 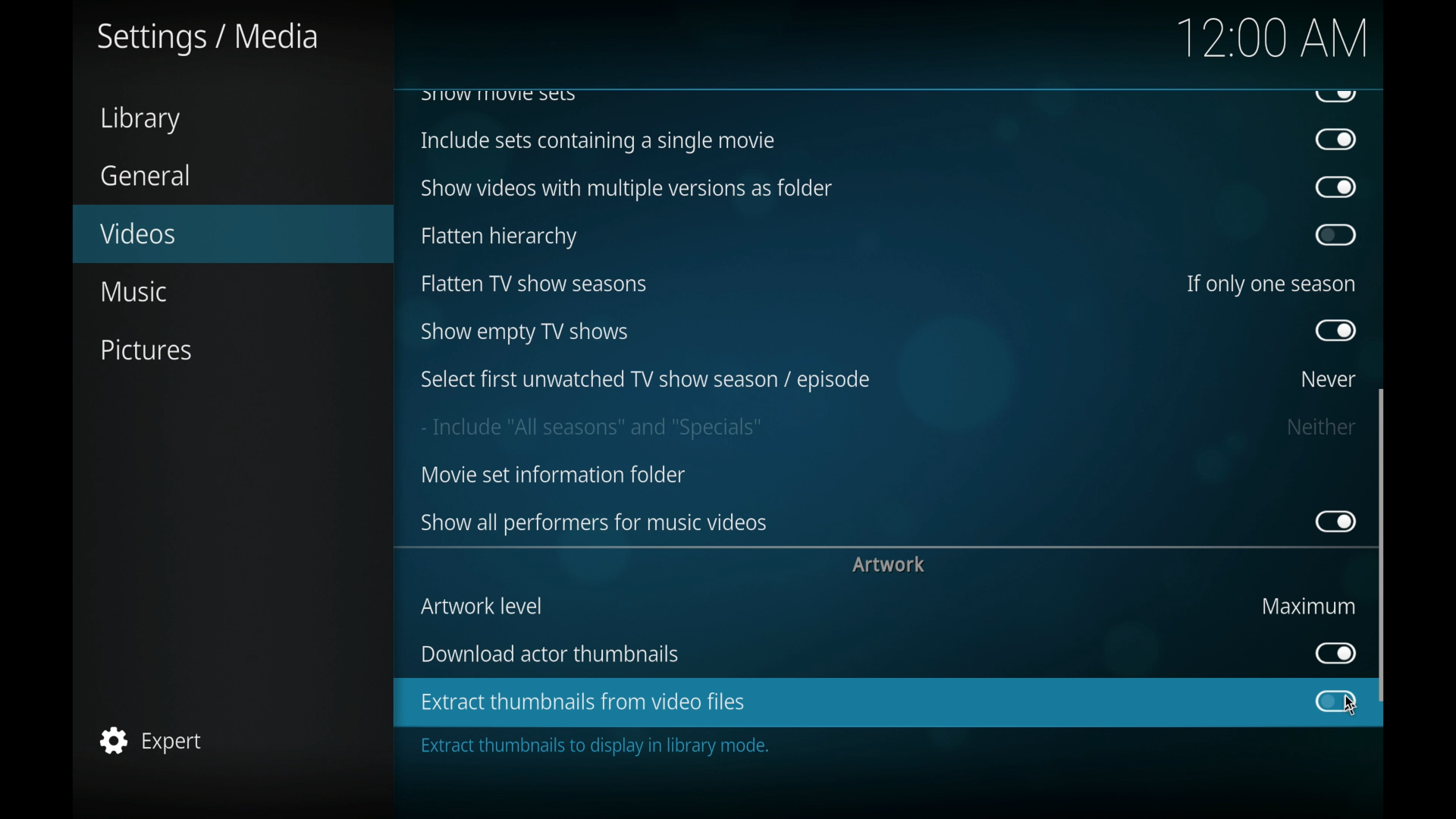 What do you see at coordinates (1270, 284) in the screenshot?
I see `if only one season` at bounding box center [1270, 284].